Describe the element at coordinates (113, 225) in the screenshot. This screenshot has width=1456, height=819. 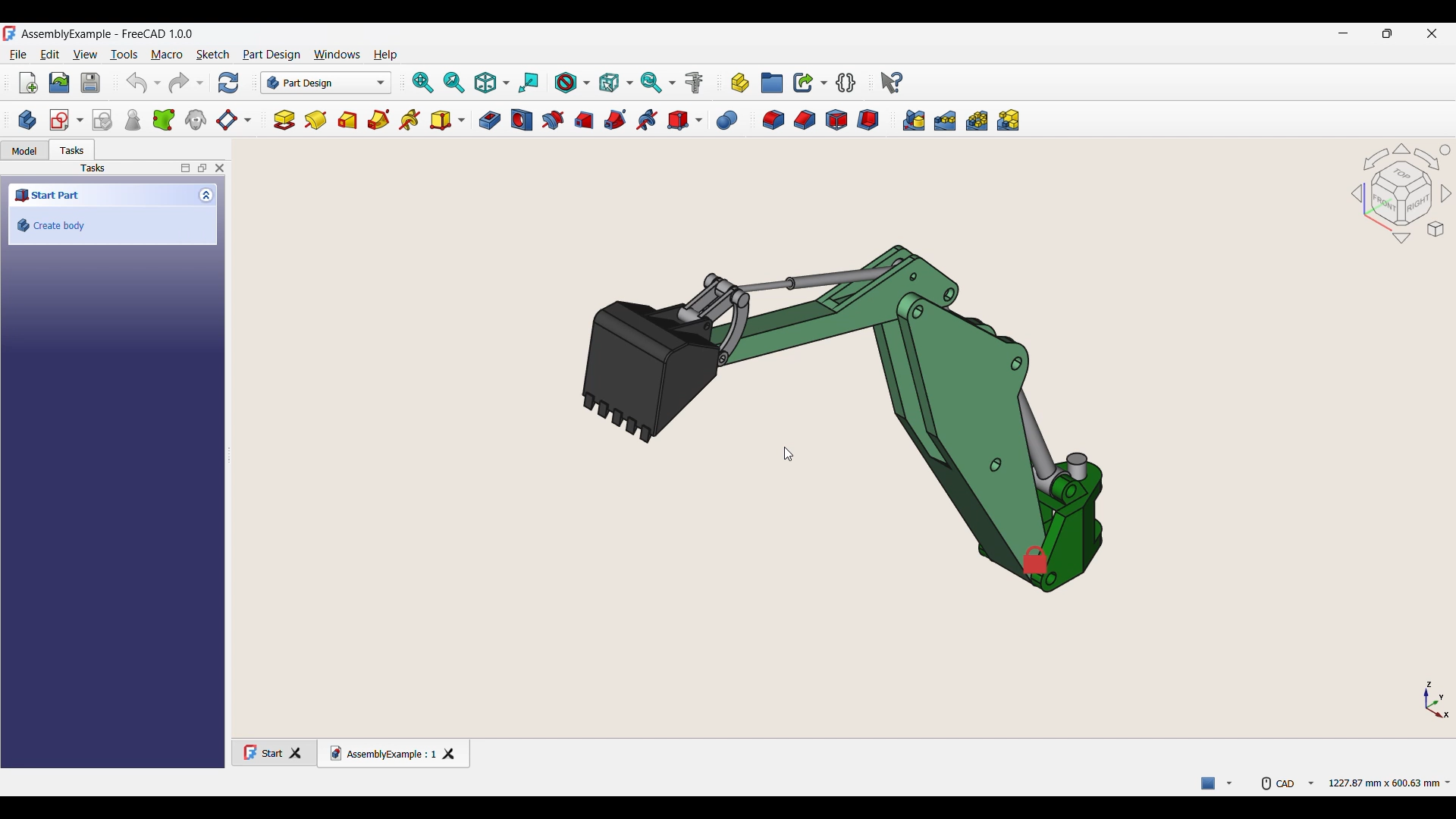
I see `Create body` at that location.